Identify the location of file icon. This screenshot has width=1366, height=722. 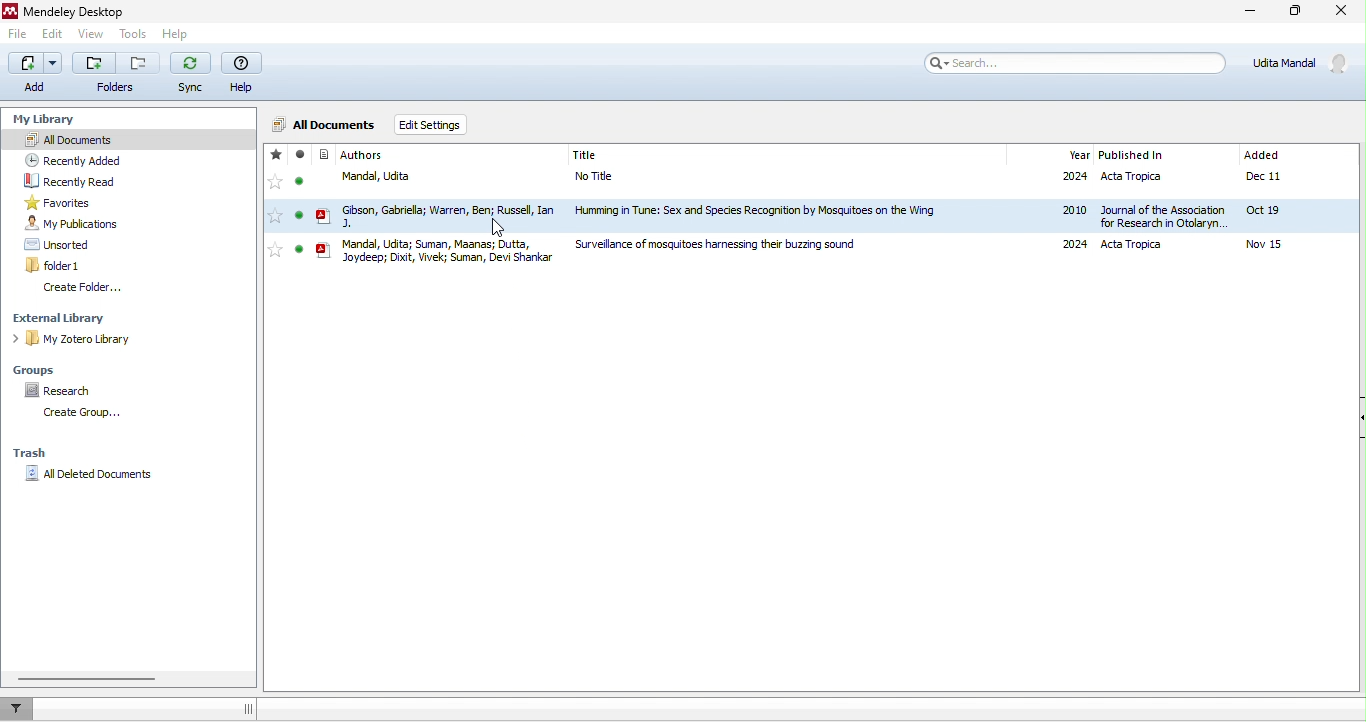
(325, 204).